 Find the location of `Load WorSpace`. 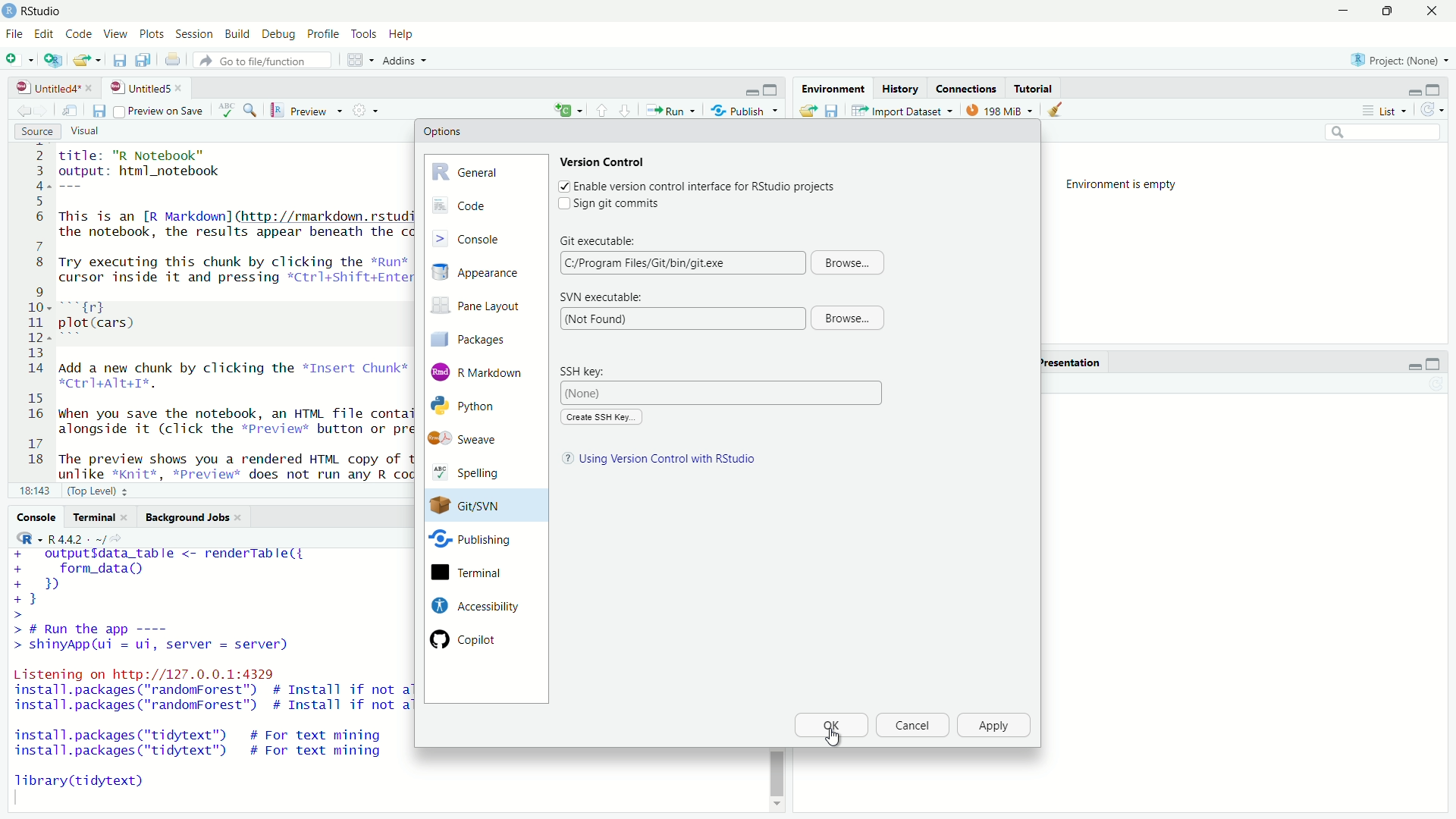

Load WorSpace is located at coordinates (807, 110).